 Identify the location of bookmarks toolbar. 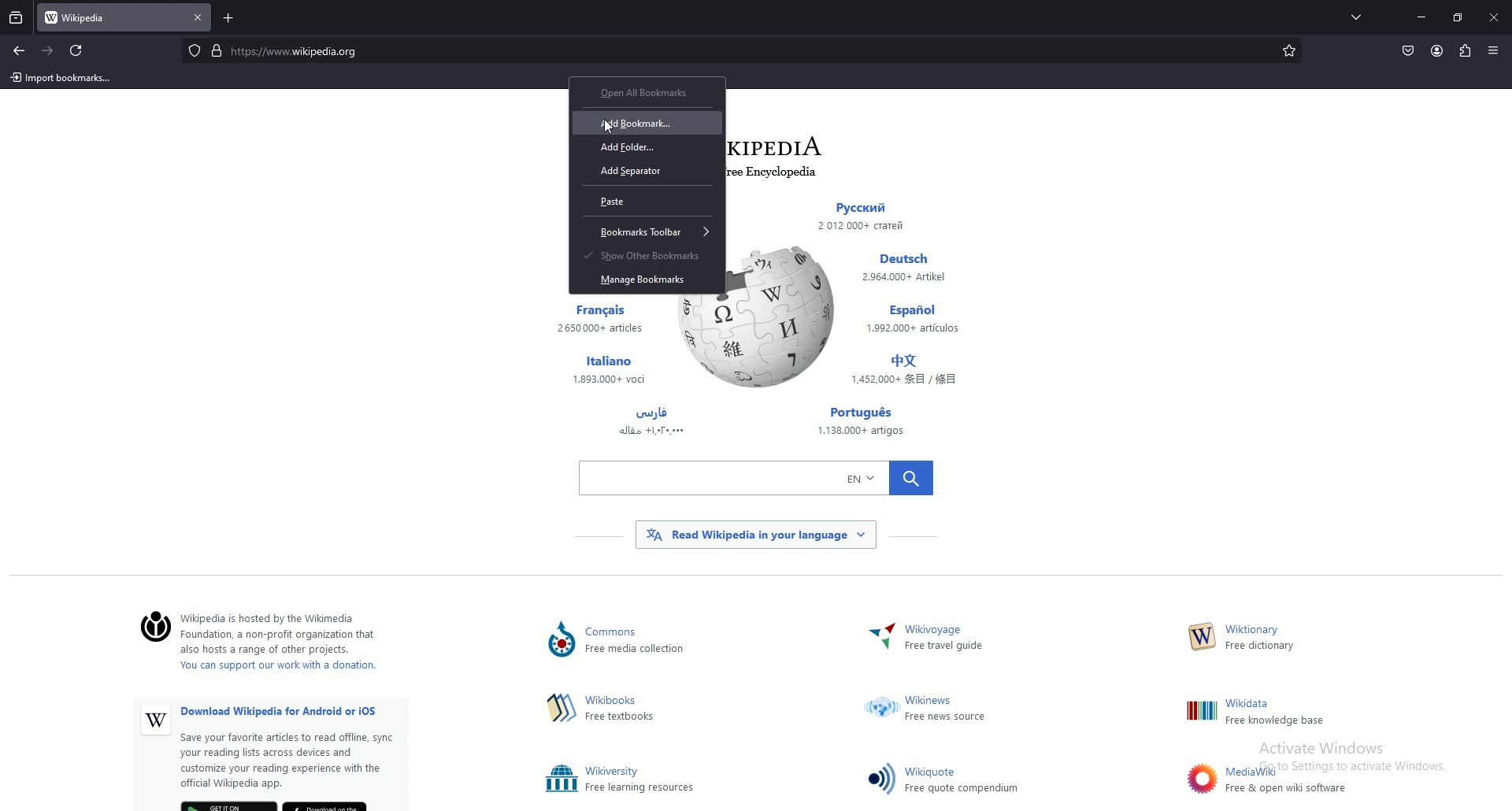
(647, 231).